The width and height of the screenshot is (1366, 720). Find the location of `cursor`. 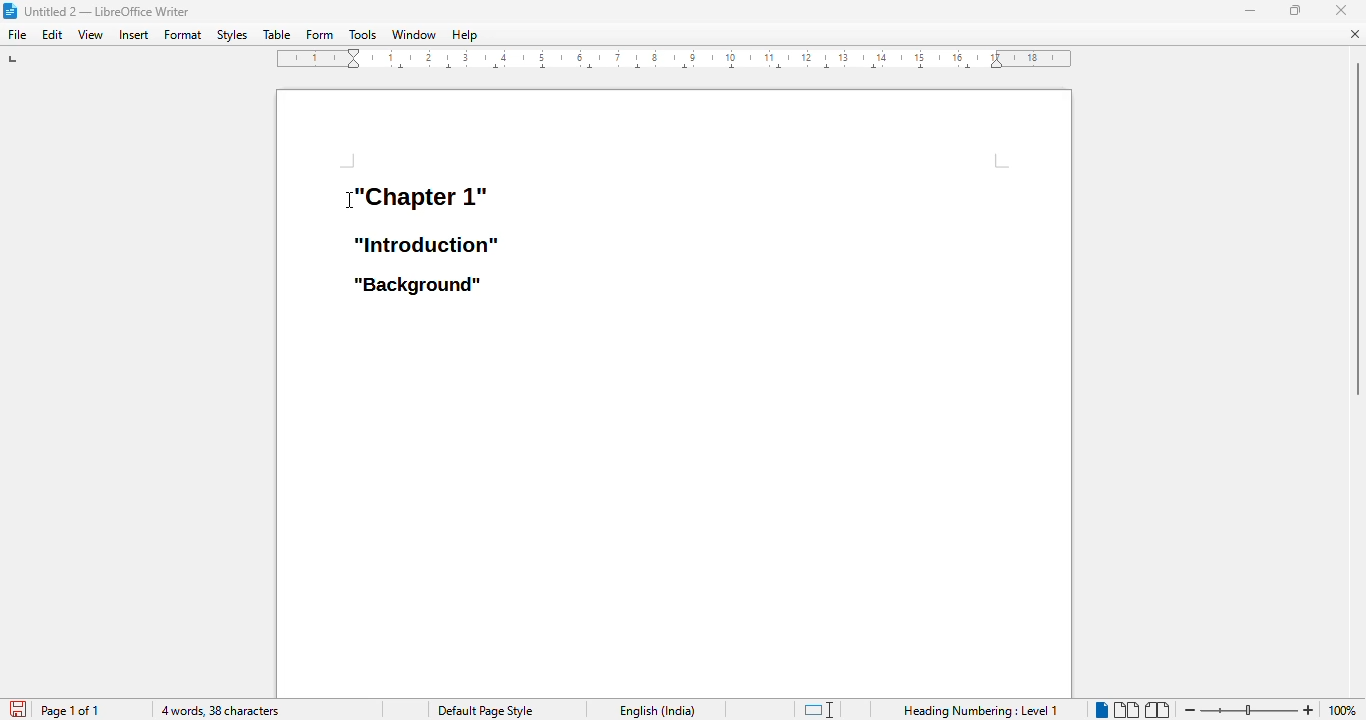

cursor is located at coordinates (348, 200).